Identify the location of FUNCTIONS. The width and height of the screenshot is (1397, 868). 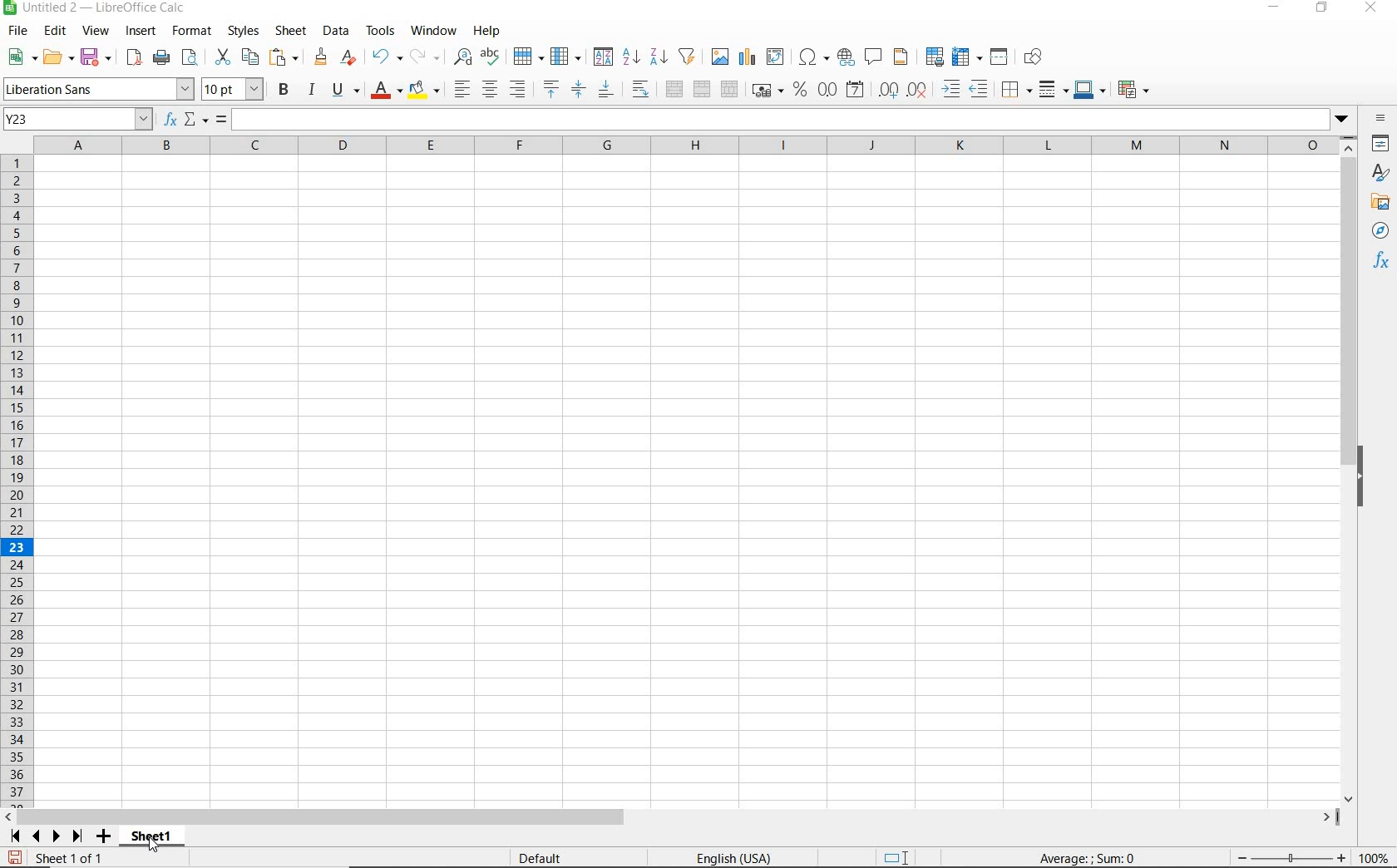
(1382, 263).